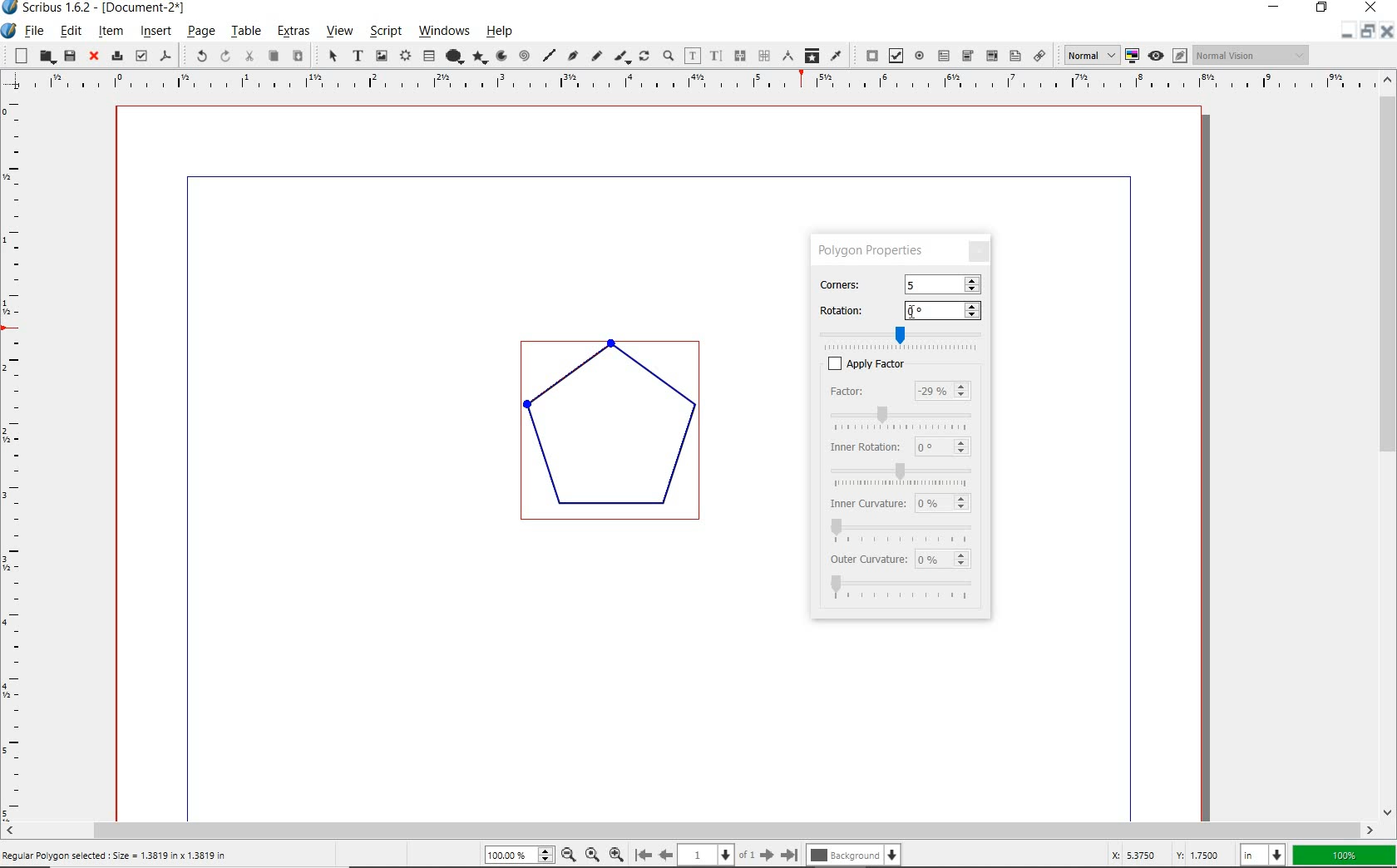 The image size is (1397, 868). Describe the element at coordinates (155, 31) in the screenshot. I see `insert` at that location.